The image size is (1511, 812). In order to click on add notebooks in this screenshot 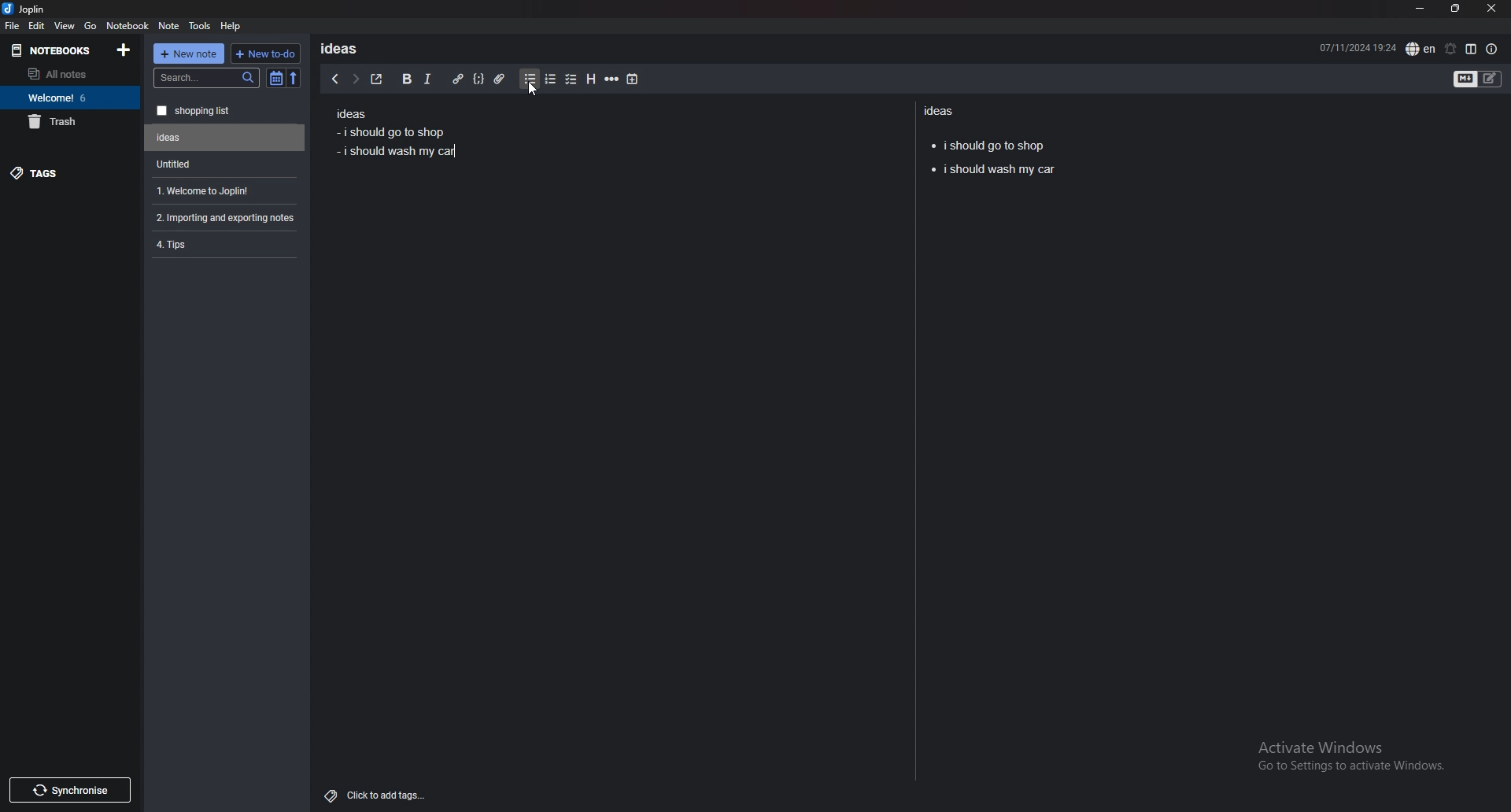, I will do `click(124, 49)`.